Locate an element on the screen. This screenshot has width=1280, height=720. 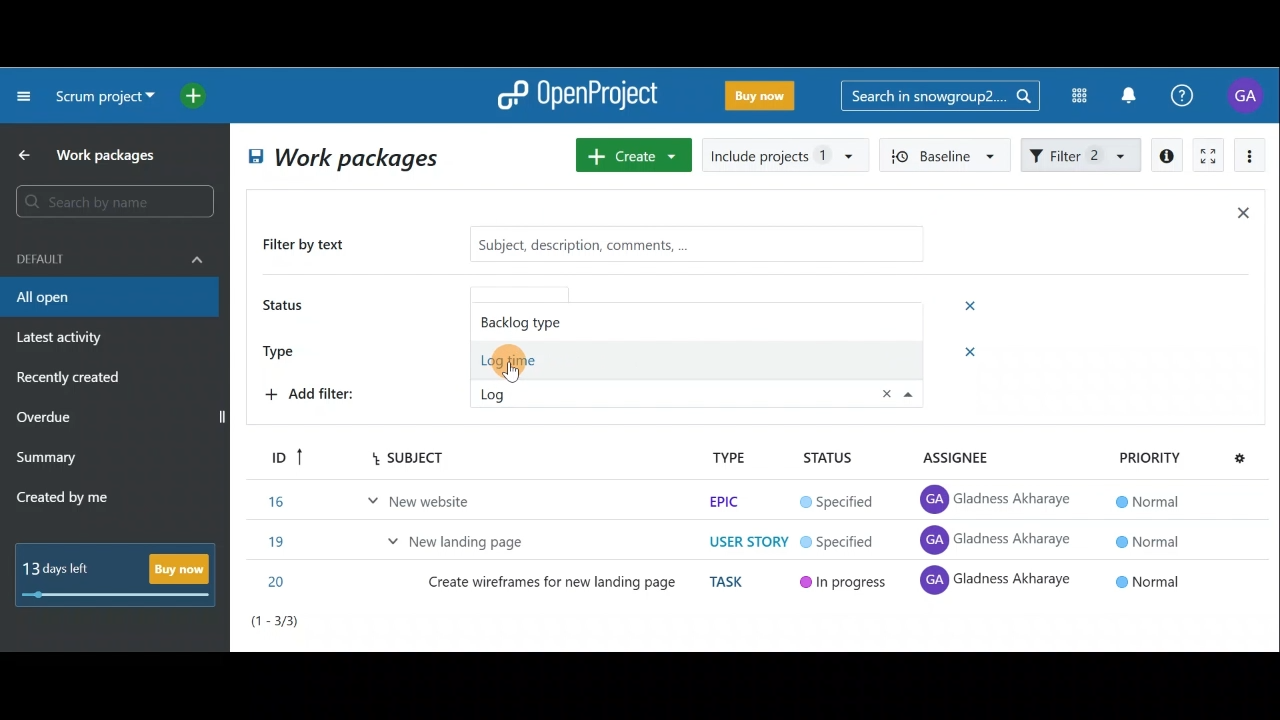
mouse pointer is located at coordinates (510, 366).